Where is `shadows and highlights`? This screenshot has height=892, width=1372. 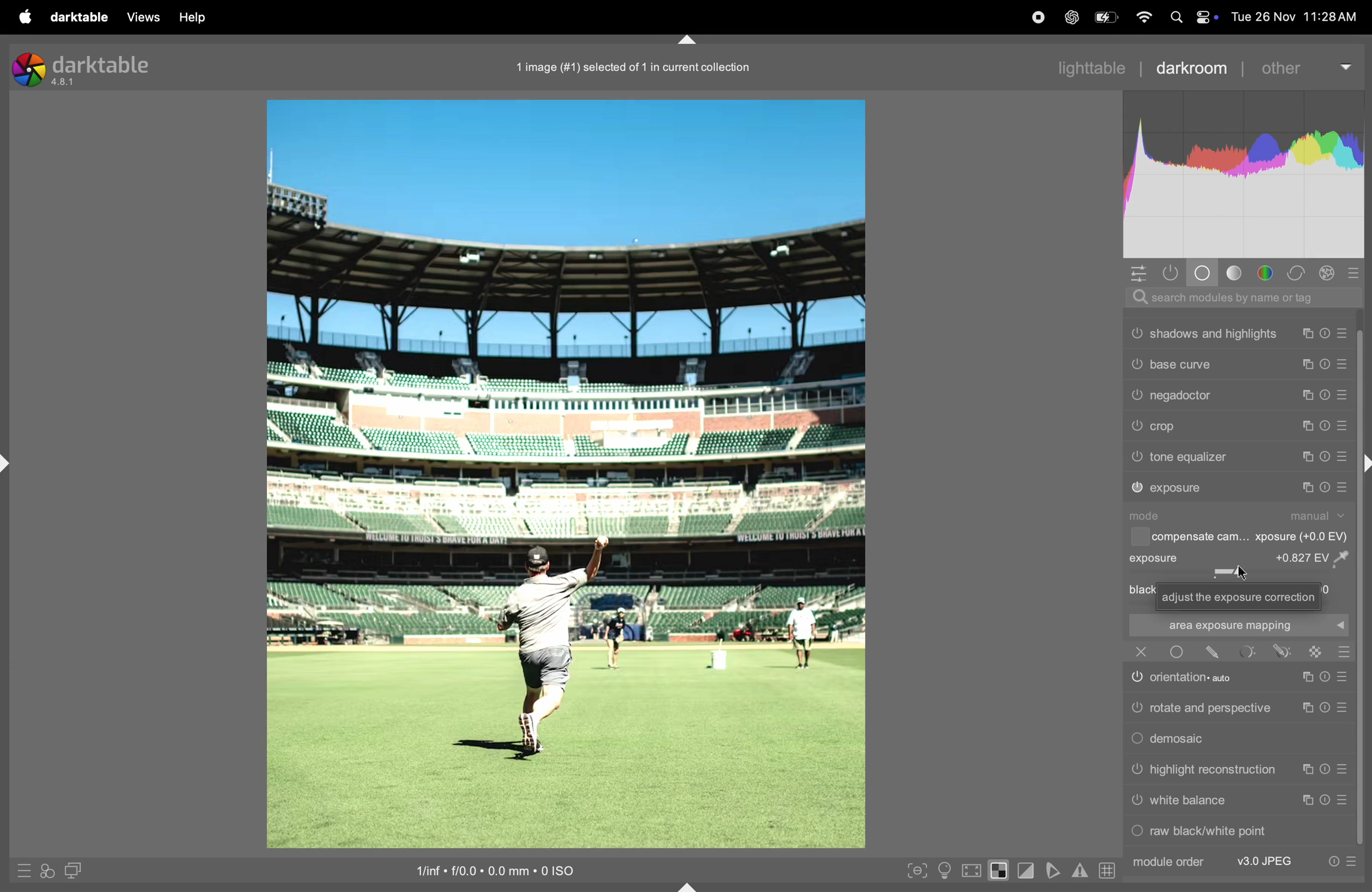 shadows and highlights is located at coordinates (1215, 334).